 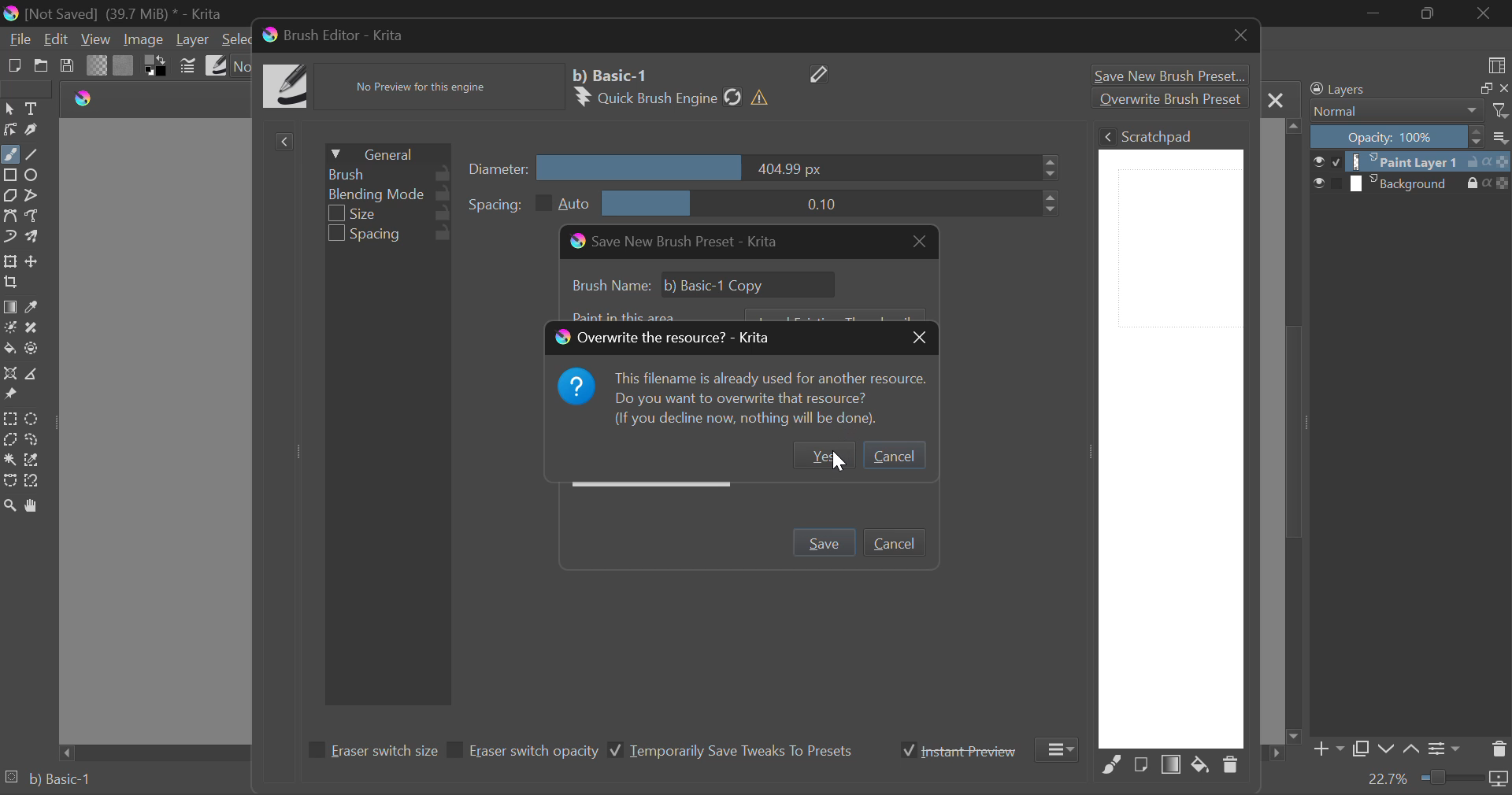 I want to click on Zoom, so click(x=9, y=505).